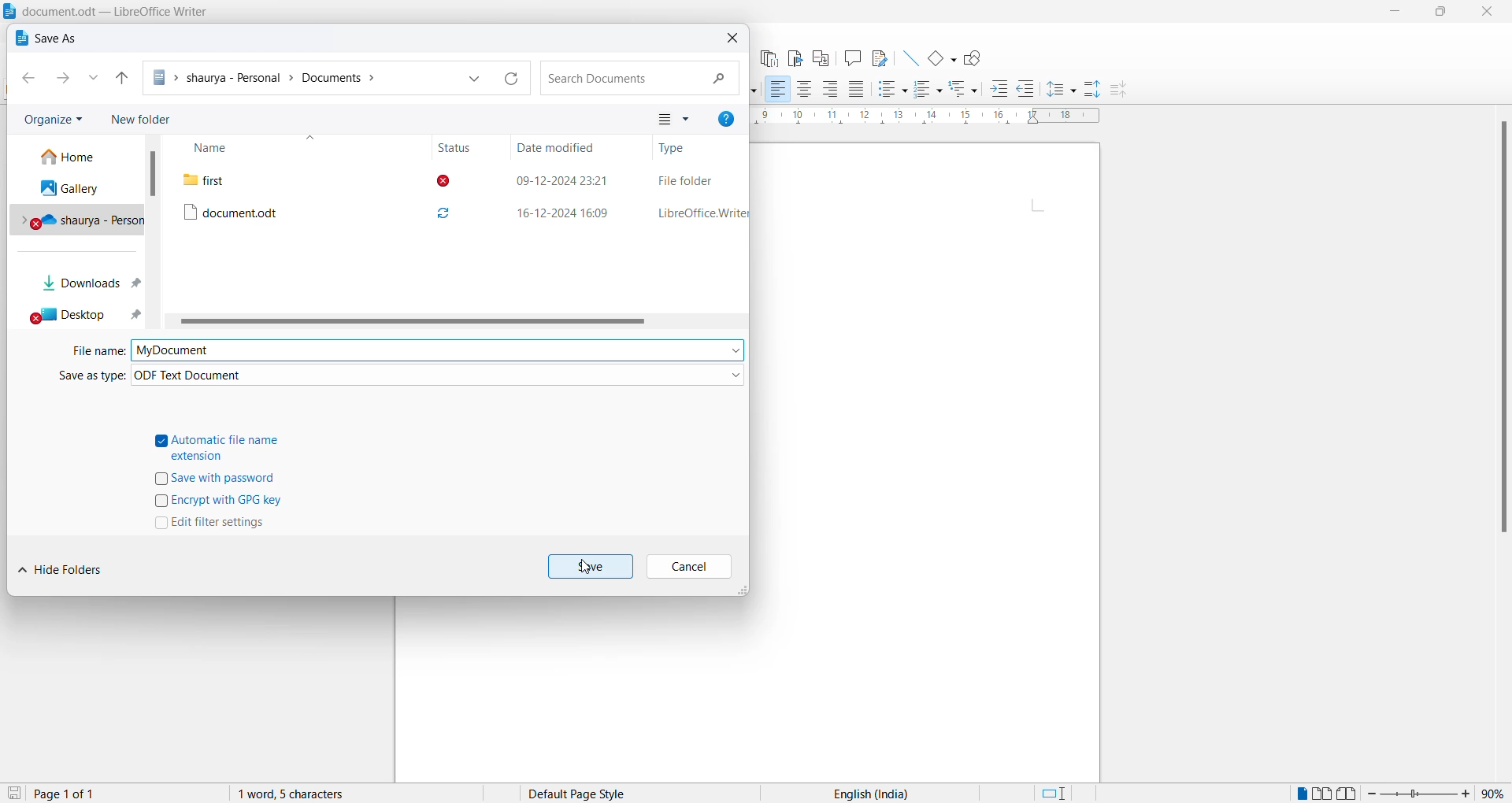 This screenshot has height=803, width=1512. Describe the element at coordinates (72, 258) in the screenshot. I see `cursor` at that location.